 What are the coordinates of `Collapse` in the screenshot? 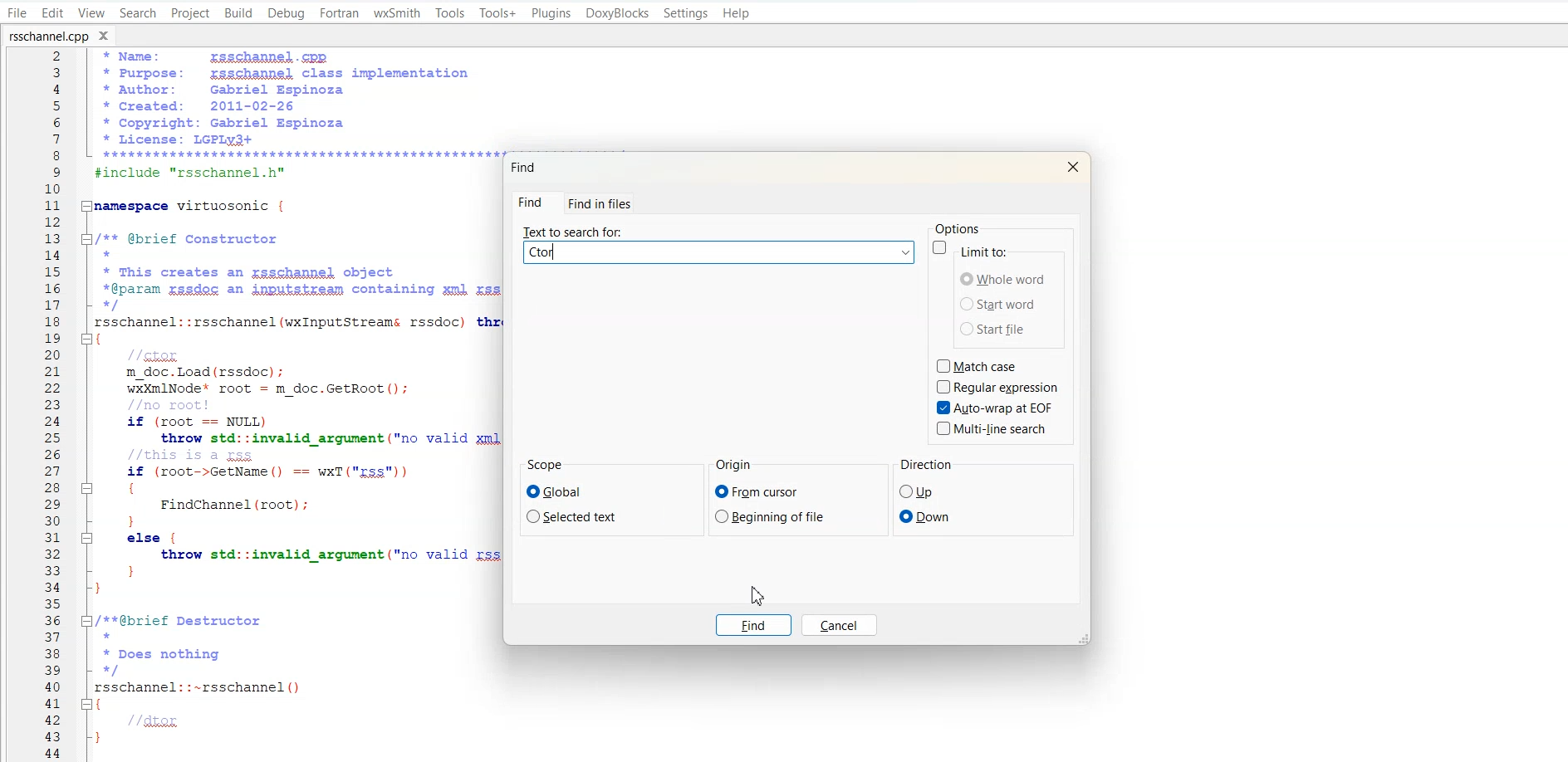 It's located at (87, 704).